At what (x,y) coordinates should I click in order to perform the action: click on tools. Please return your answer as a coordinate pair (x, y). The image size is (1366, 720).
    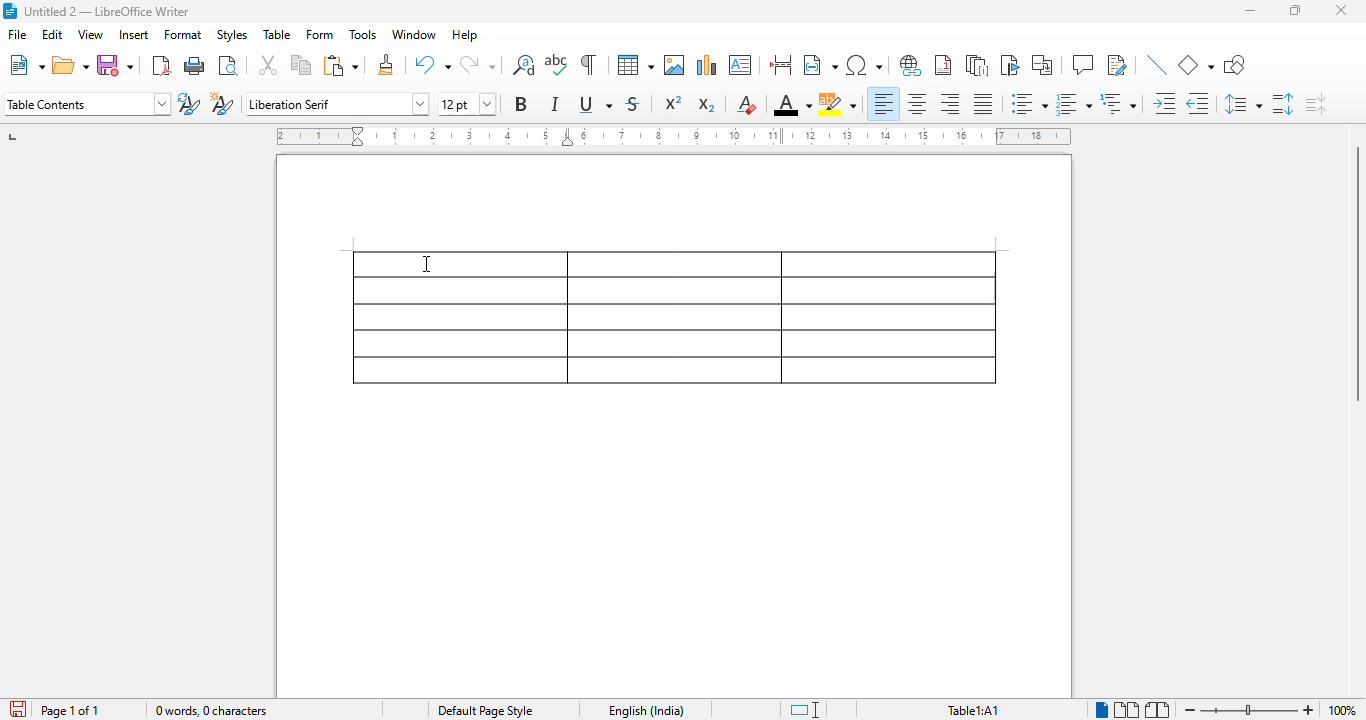
    Looking at the image, I should click on (363, 34).